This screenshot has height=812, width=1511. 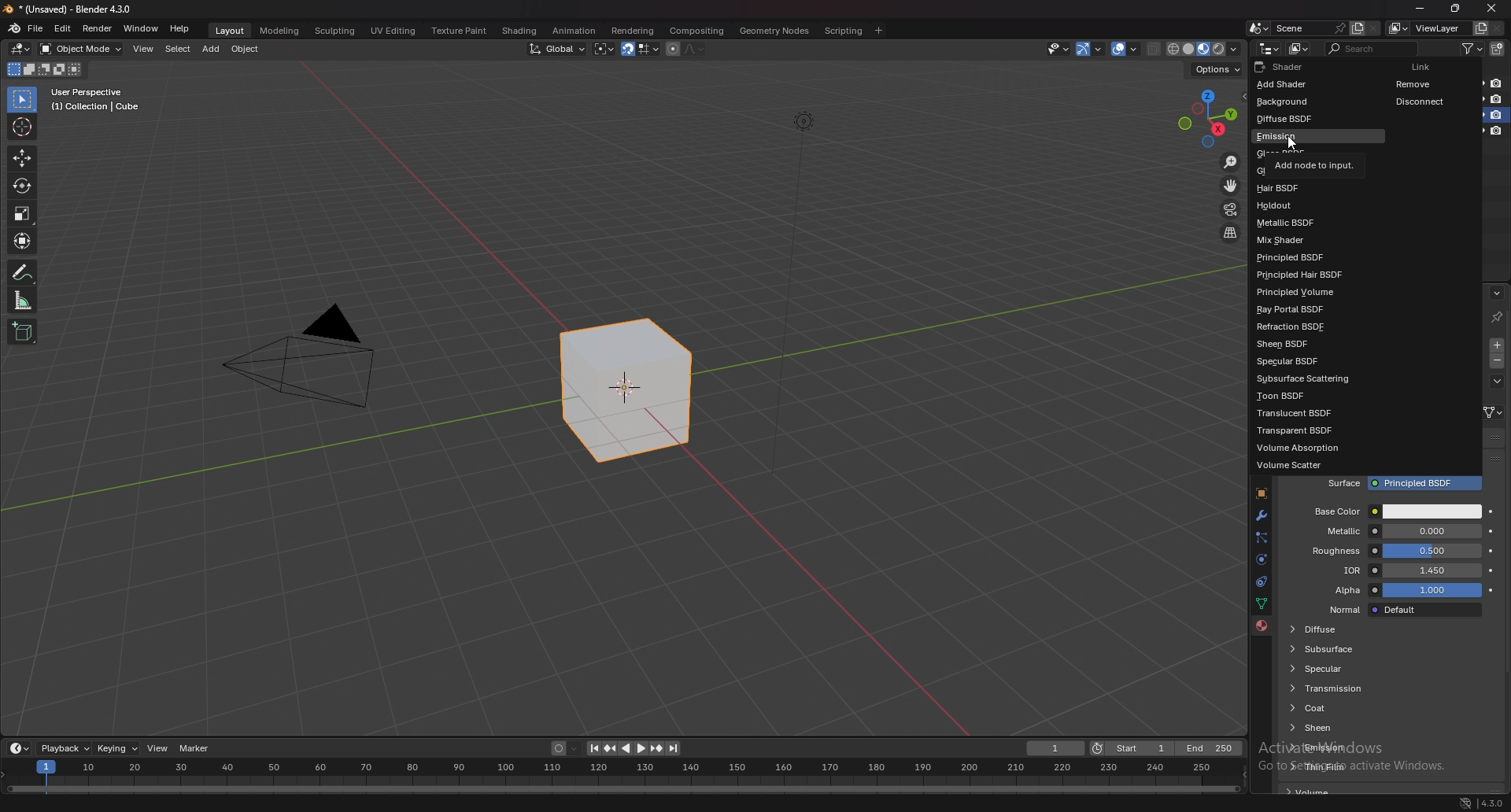 What do you see at coordinates (1429, 28) in the screenshot?
I see `view layer` at bounding box center [1429, 28].